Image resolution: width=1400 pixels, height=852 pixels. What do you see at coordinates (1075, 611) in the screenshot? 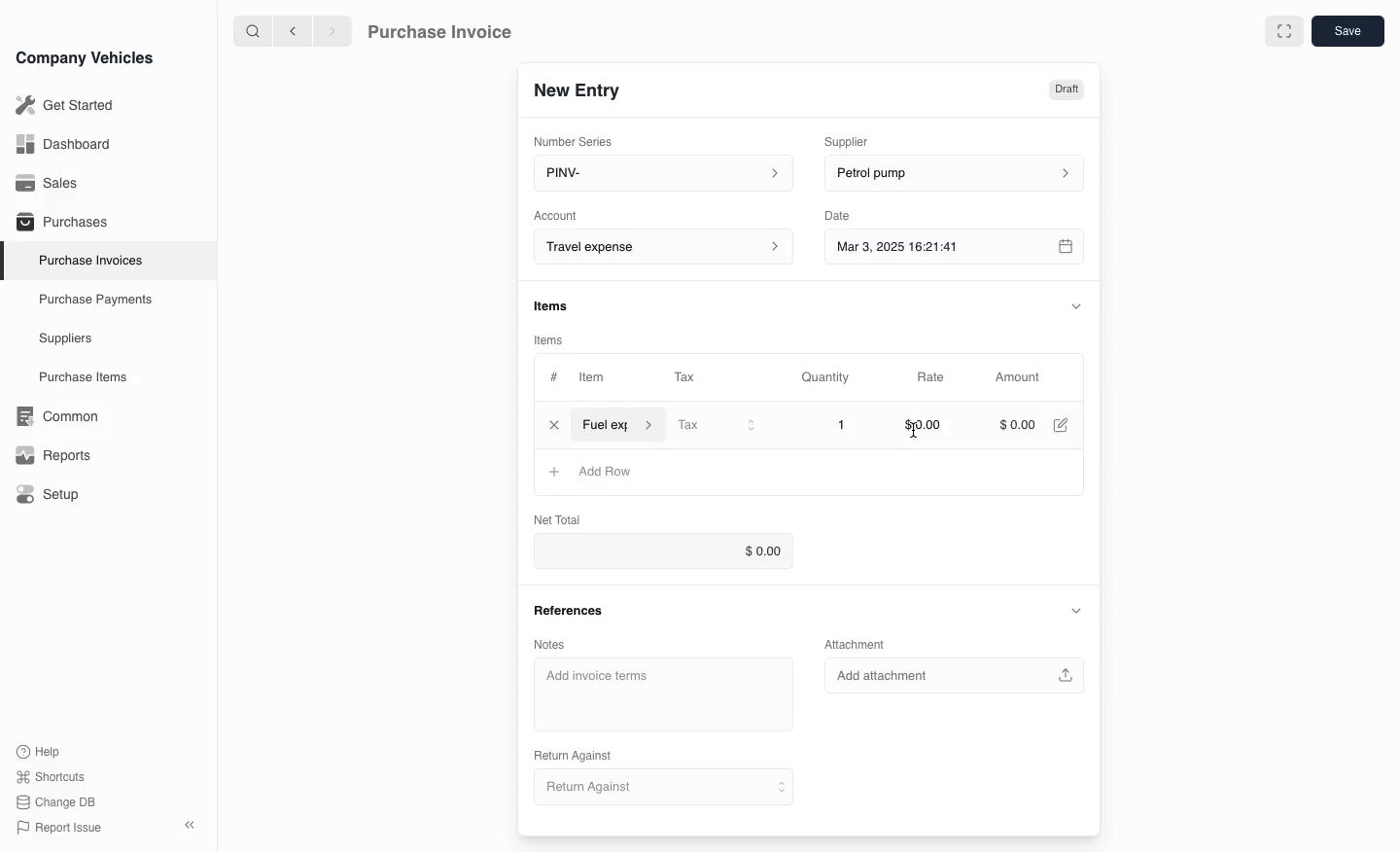
I see `collapse` at bounding box center [1075, 611].